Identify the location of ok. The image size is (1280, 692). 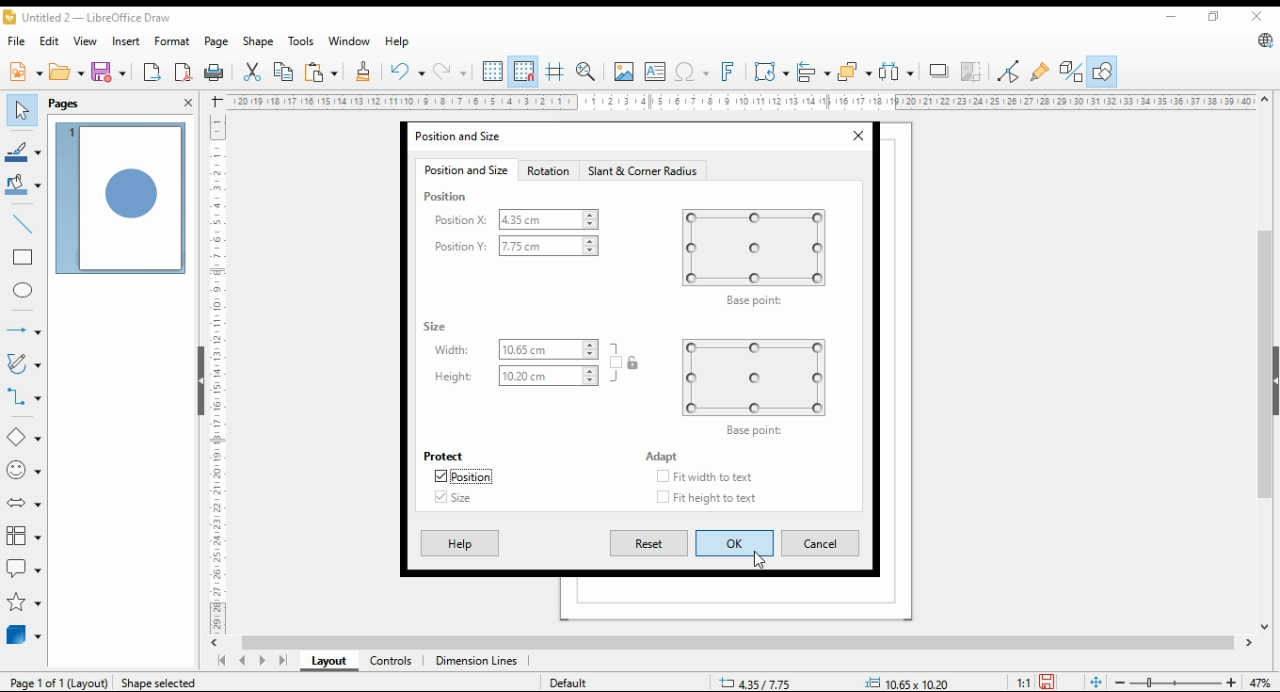
(732, 543).